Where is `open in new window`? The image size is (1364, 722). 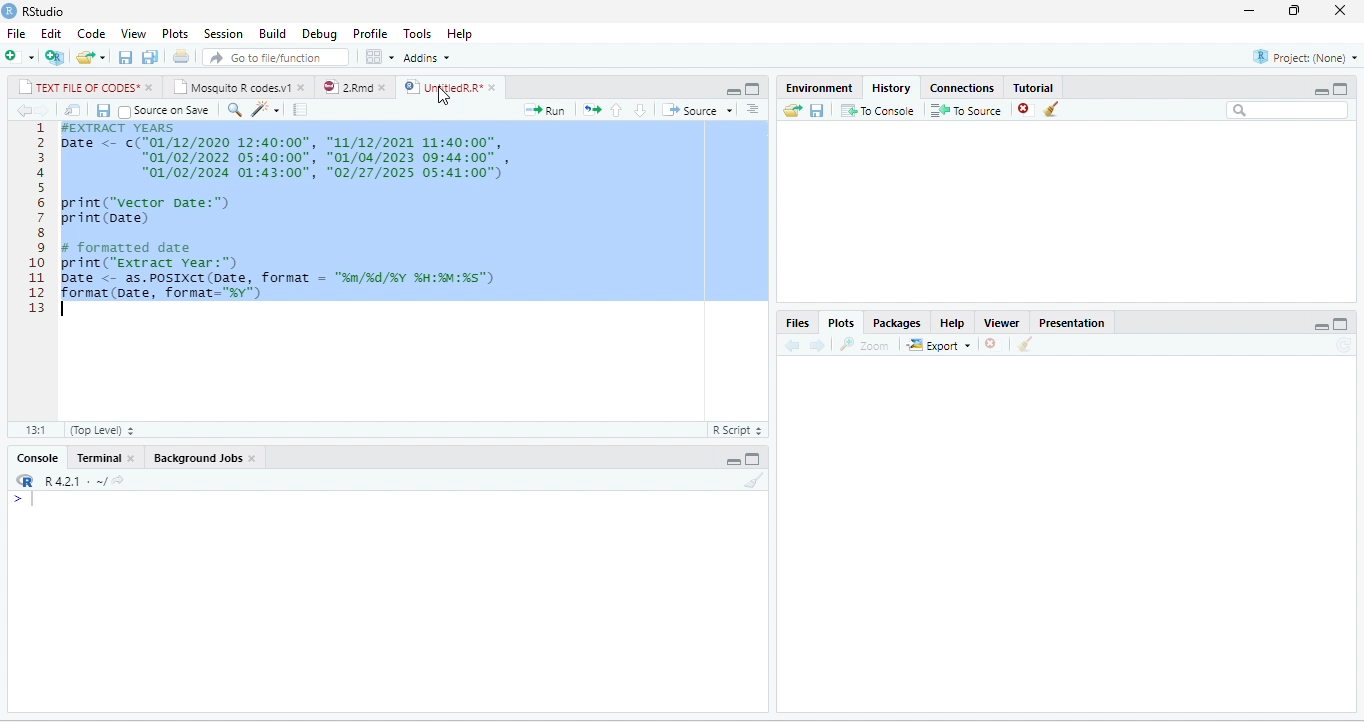 open in new window is located at coordinates (74, 110).